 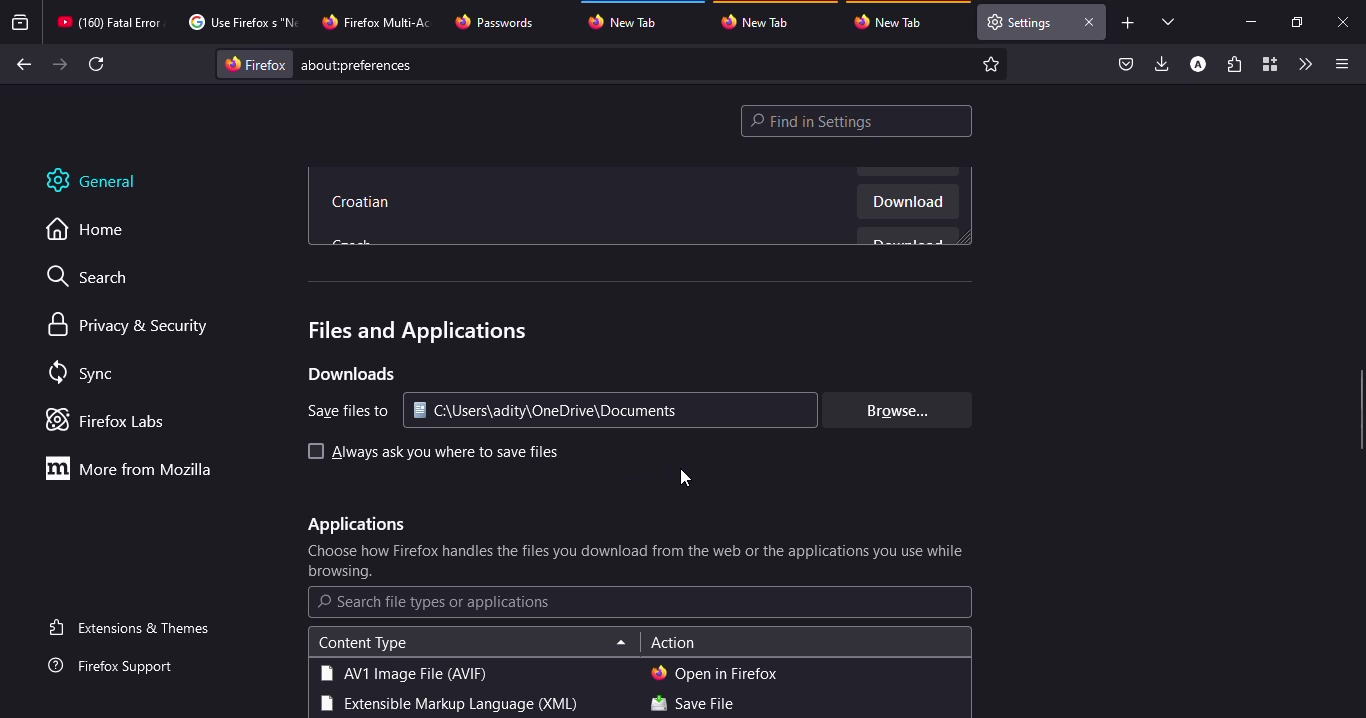 What do you see at coordinates (133, 627) in the screenshot?
I see `themes` at bounding box center [133, 627].